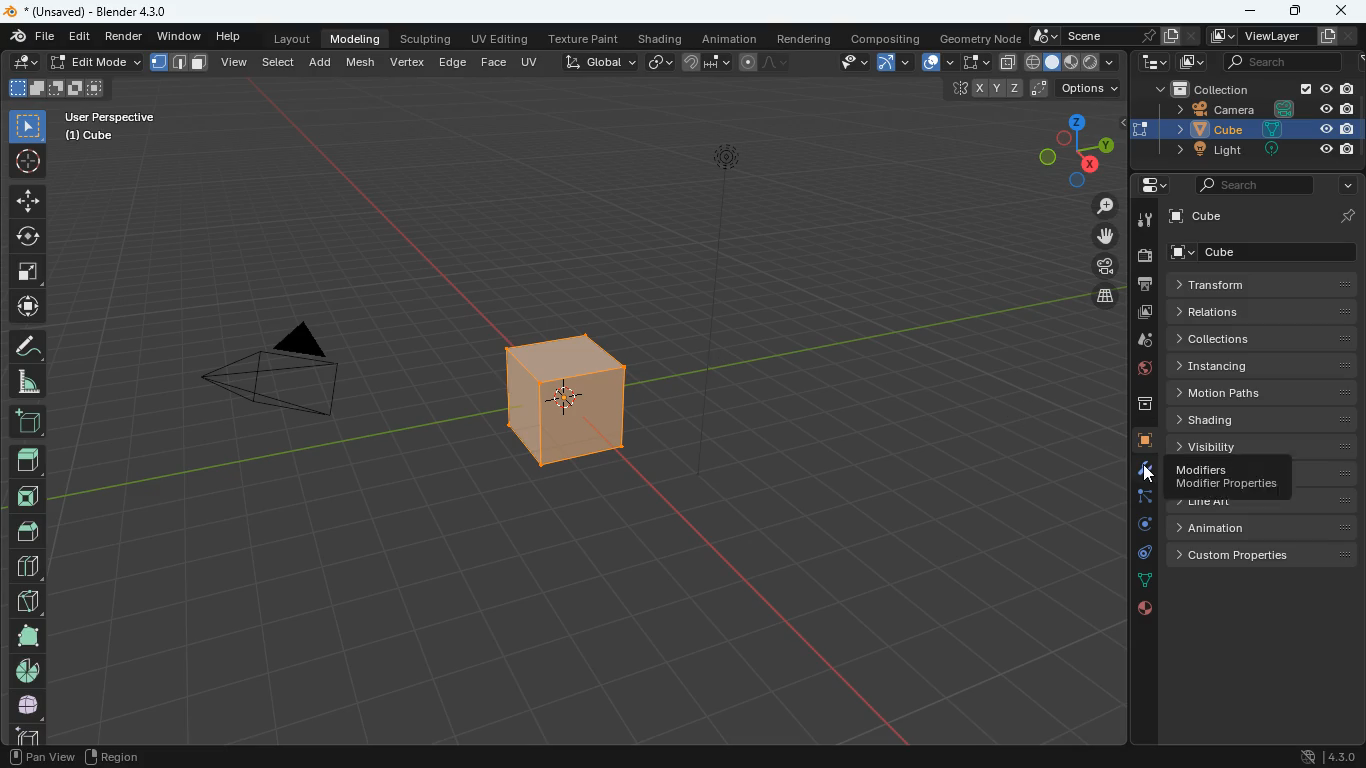 The image size is (1366, 768). I want to click on coordinates, so click(1035, 89).